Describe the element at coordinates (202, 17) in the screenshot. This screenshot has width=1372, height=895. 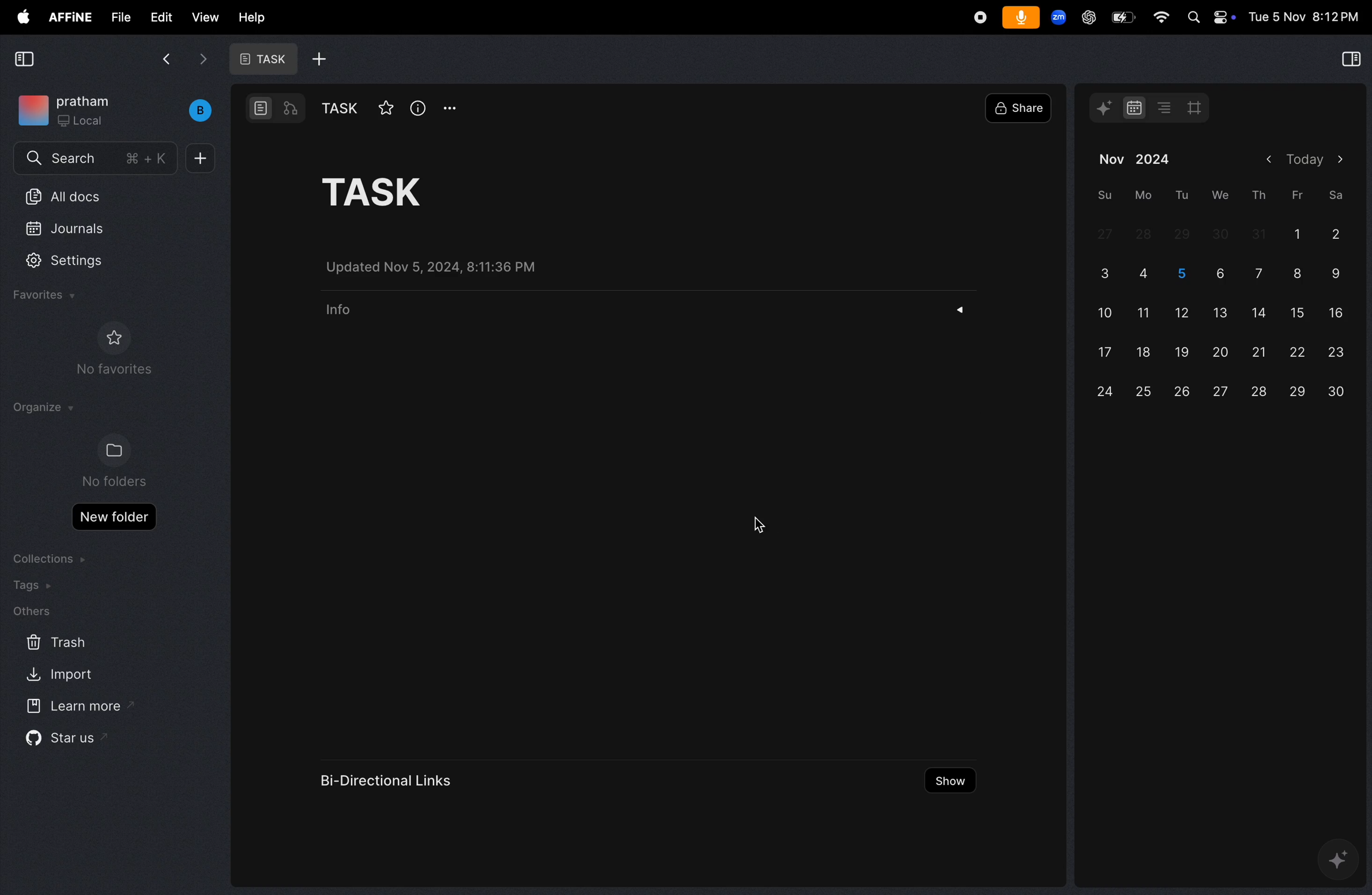
I see `view` at that location.